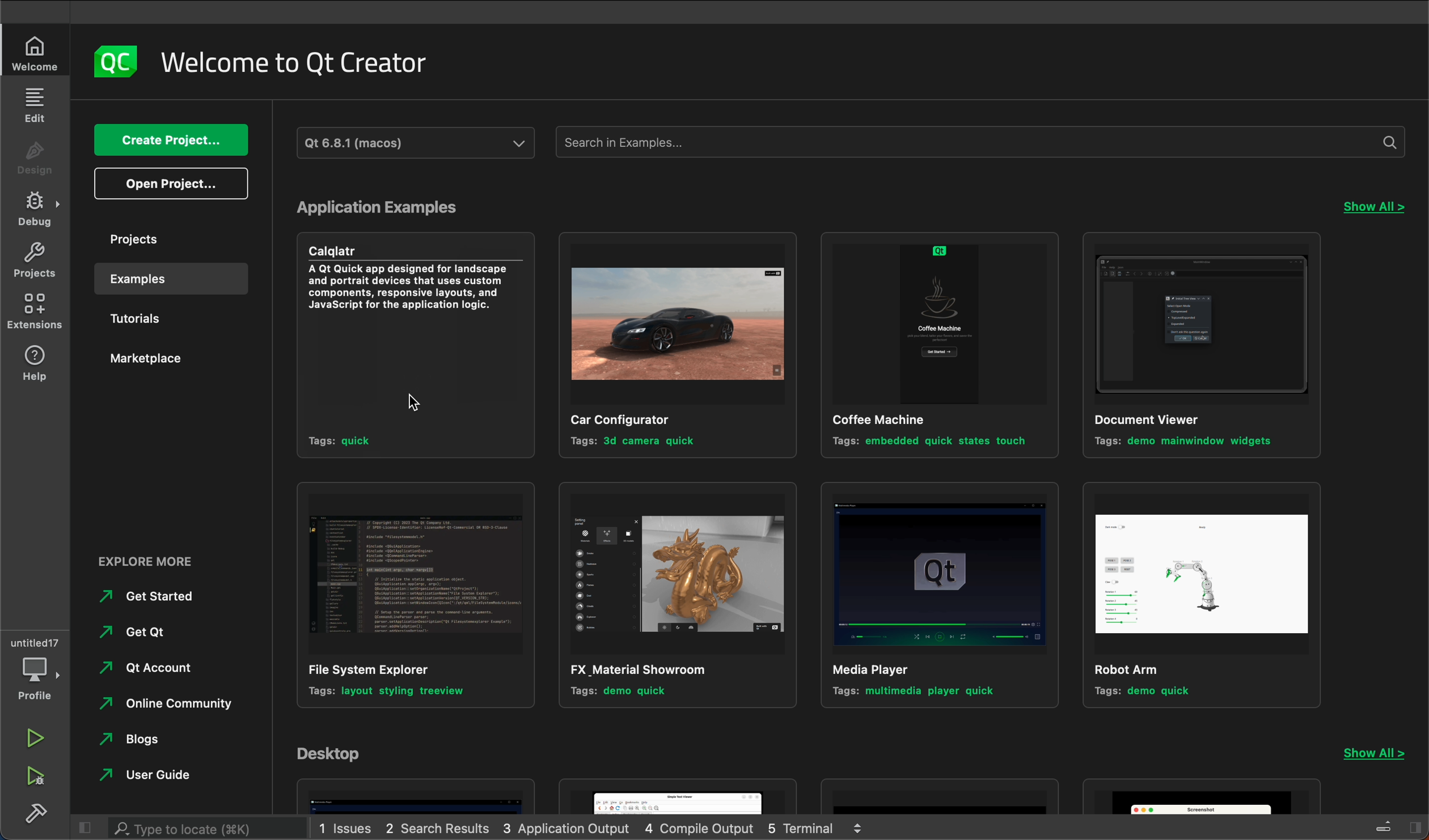 The height and width of the screenshot is (840, 1429). What do you see at coordinates (209, 829) in the screenshot?
I see `search` at bounding box center [209, 829].